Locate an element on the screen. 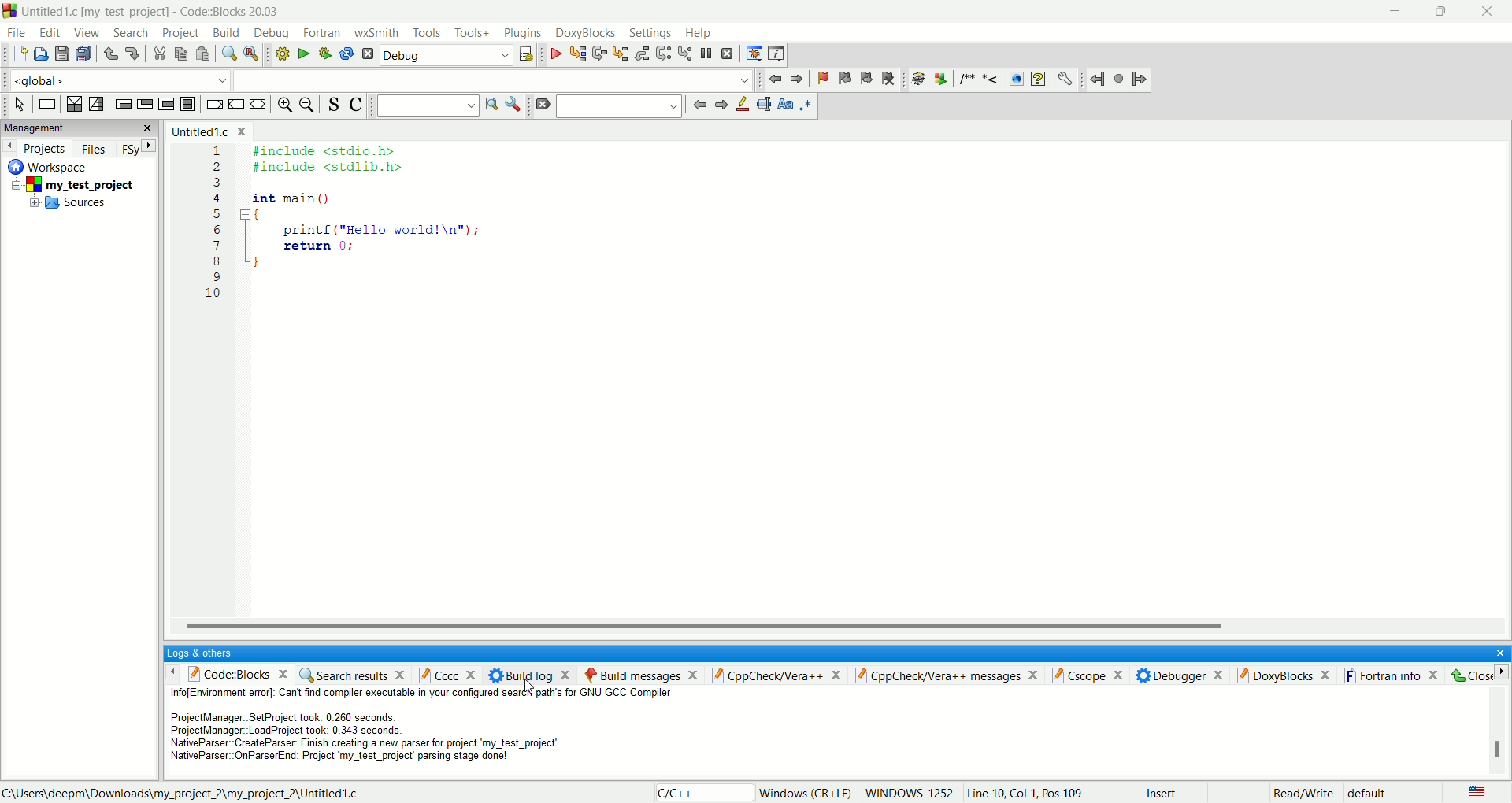 The image size is (1512, 803). close is located at coordinates (1487, 12).